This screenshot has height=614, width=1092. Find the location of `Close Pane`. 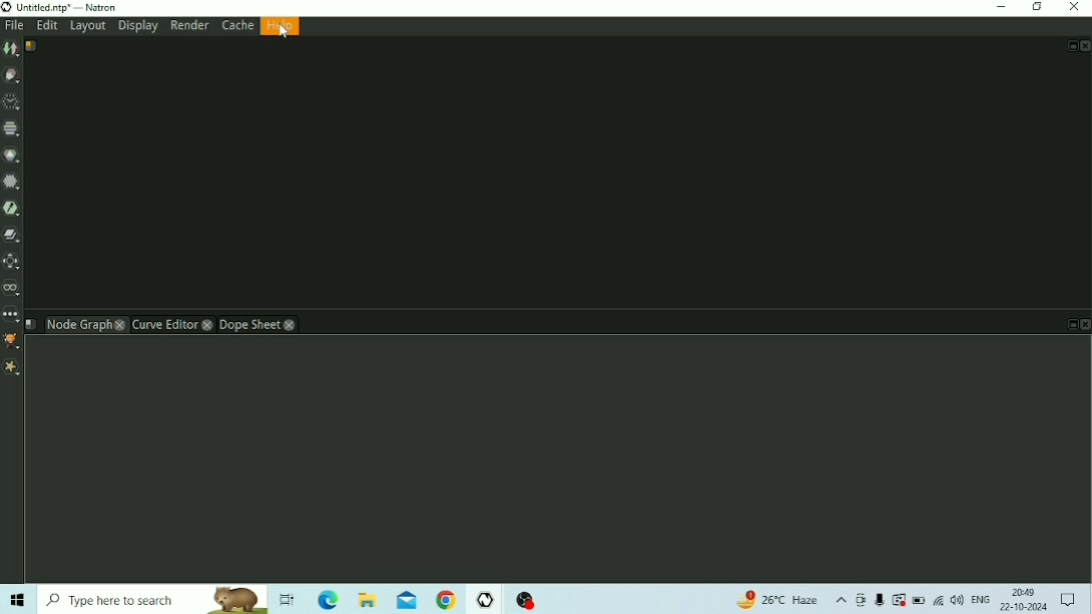

Close Pane is located at coordinates (1085, 324).